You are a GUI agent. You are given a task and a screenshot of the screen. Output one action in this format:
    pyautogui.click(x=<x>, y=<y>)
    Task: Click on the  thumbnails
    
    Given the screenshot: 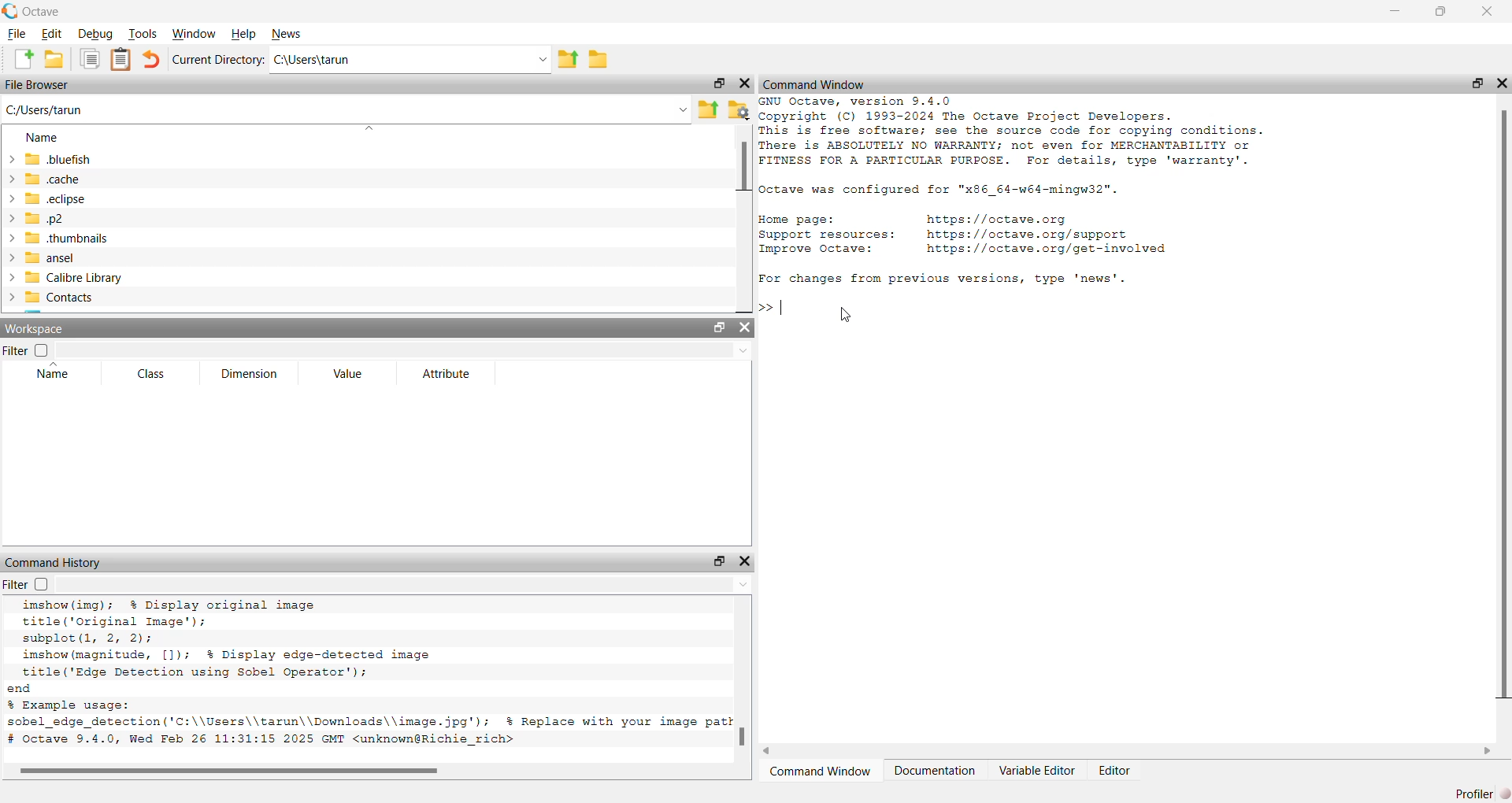 What is the action you would take?
    pyautogui.click(x=61, y=239)
    